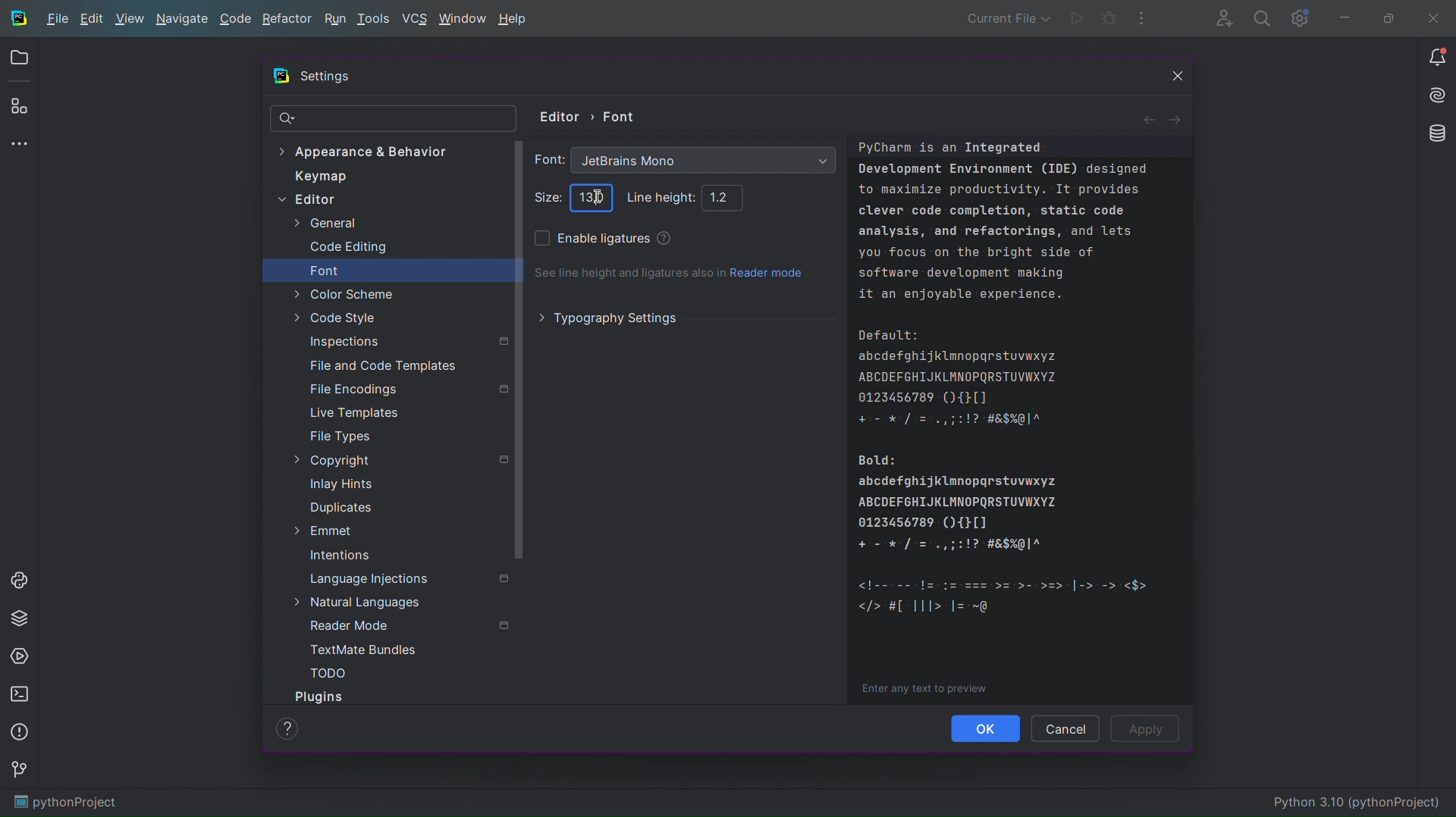 Image resolution: width=1456 pixels, height=817 pixels. I want to click on More, so click(21, 146).